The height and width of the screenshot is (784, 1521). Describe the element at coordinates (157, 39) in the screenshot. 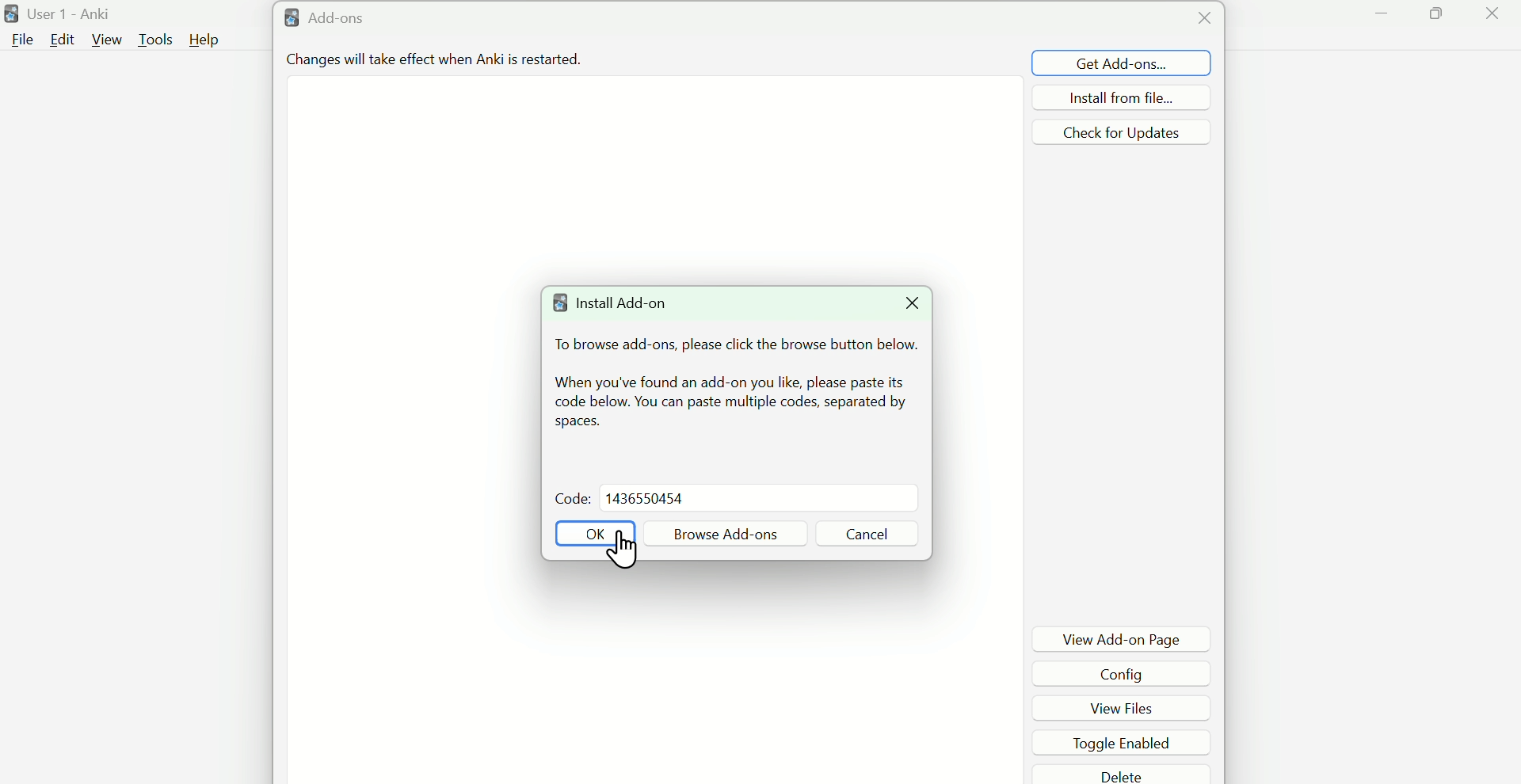

I see `Tools` at that location.